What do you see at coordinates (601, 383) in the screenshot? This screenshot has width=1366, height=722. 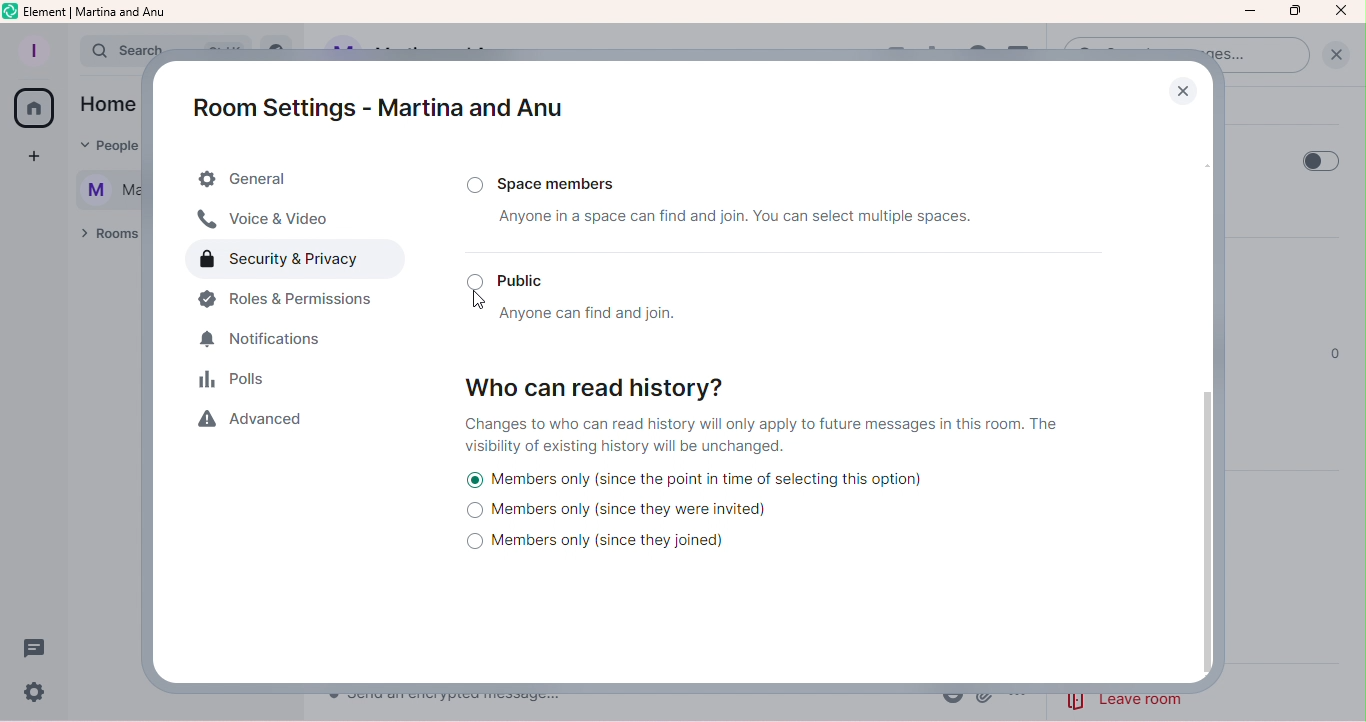 I see `Who can read history?` at bounding box center [601, 383].